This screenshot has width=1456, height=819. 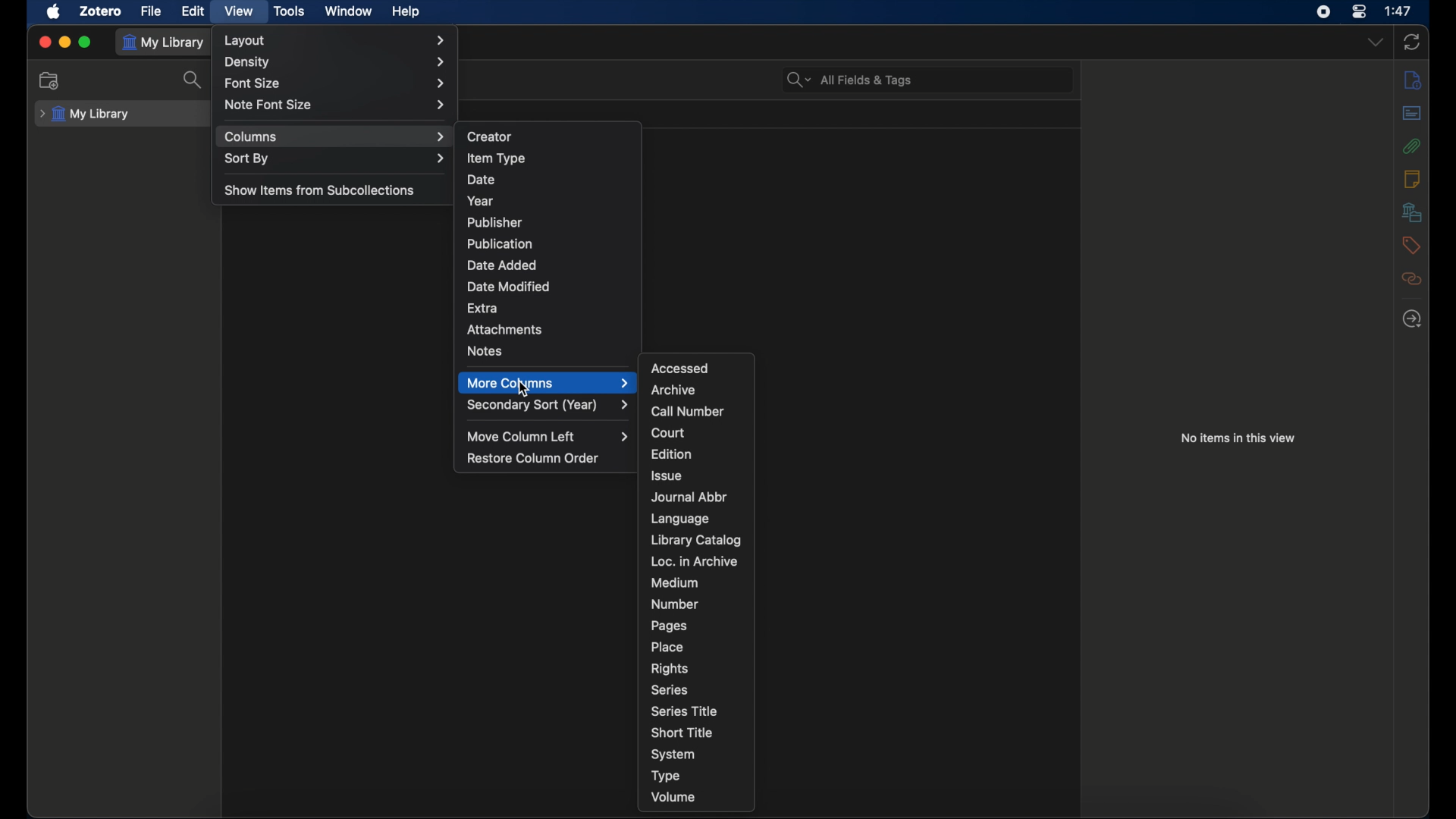 I want to click on tools, so click(x=288, y=11).